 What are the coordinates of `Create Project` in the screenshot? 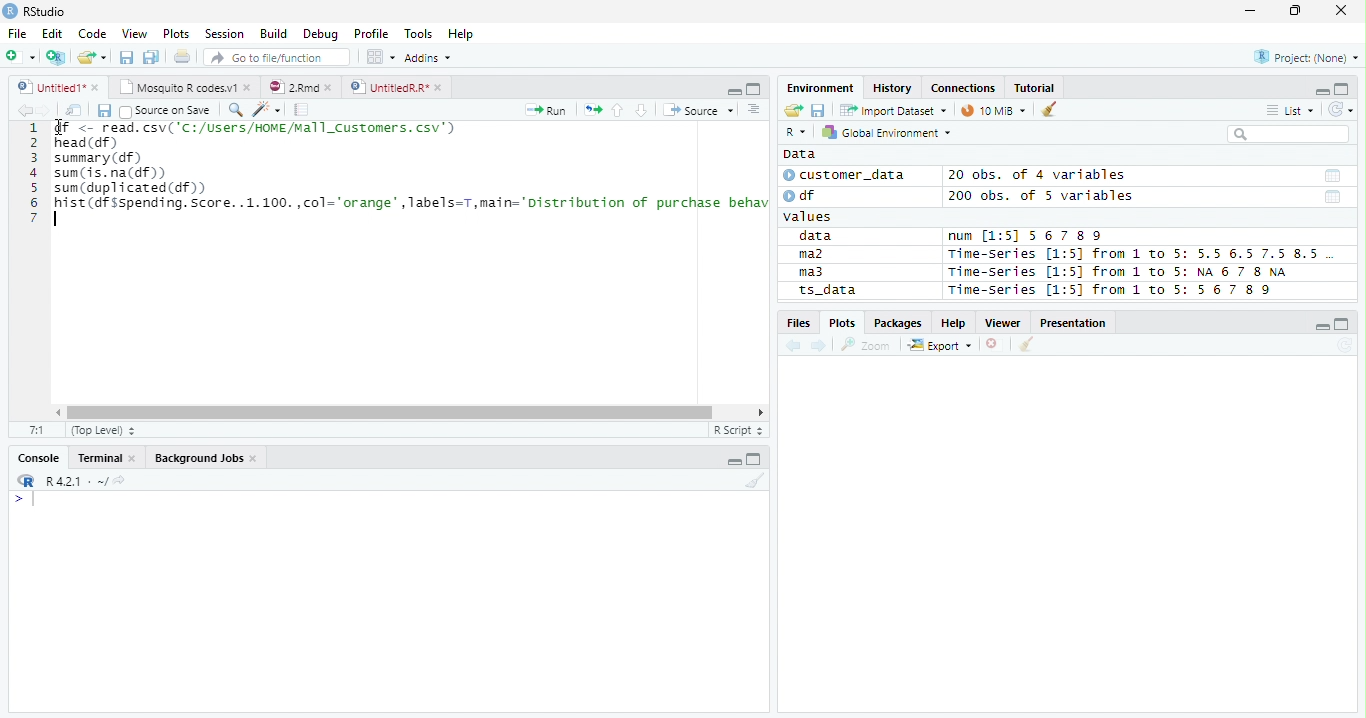 It's located at (57, 57).